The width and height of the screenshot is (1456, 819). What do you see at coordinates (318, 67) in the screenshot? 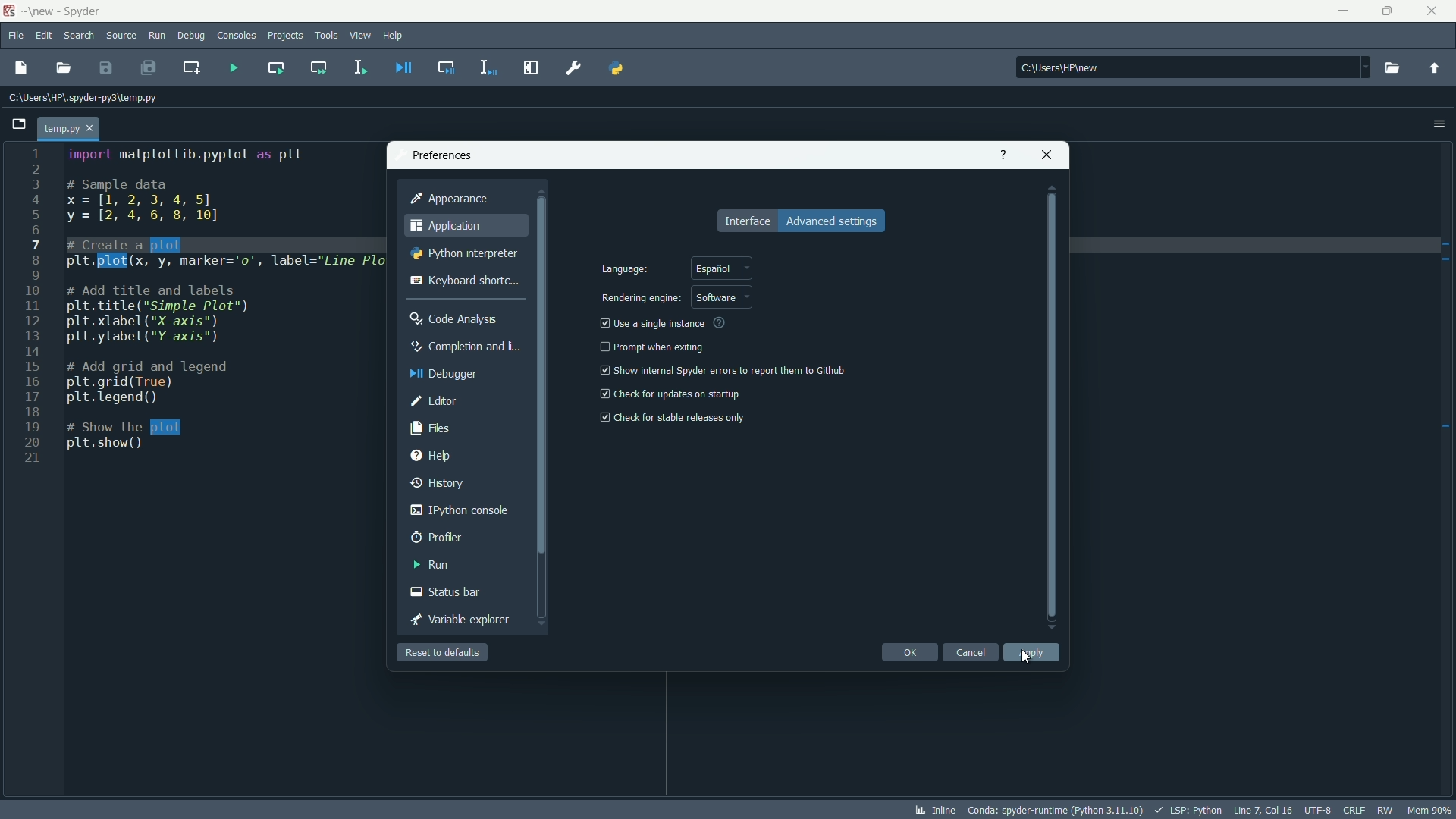
I see `run current cell and go to the next one` at bounding box center [318, 67].